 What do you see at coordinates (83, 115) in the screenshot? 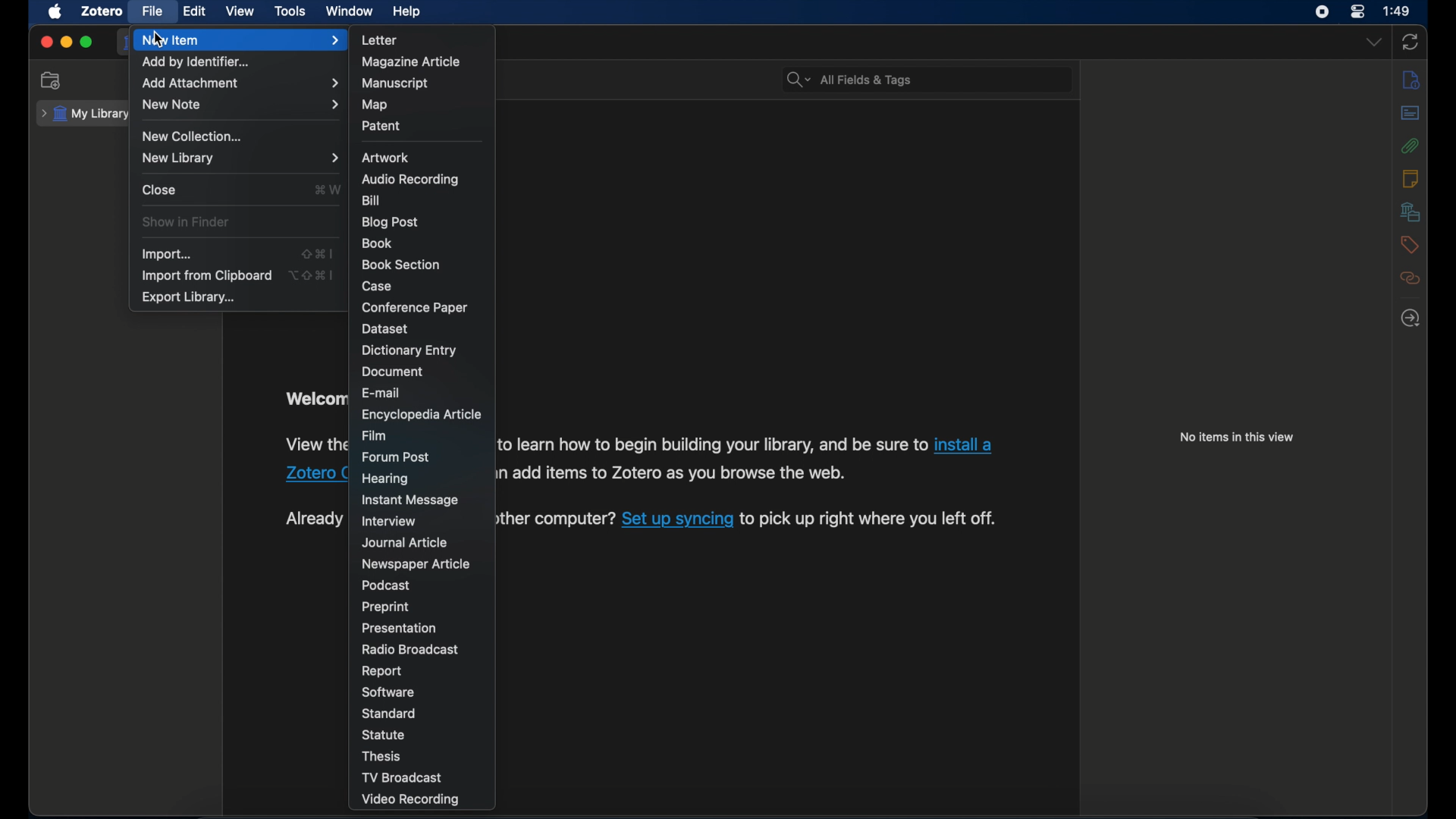
I see `my library` at bounding box center [83, 115].